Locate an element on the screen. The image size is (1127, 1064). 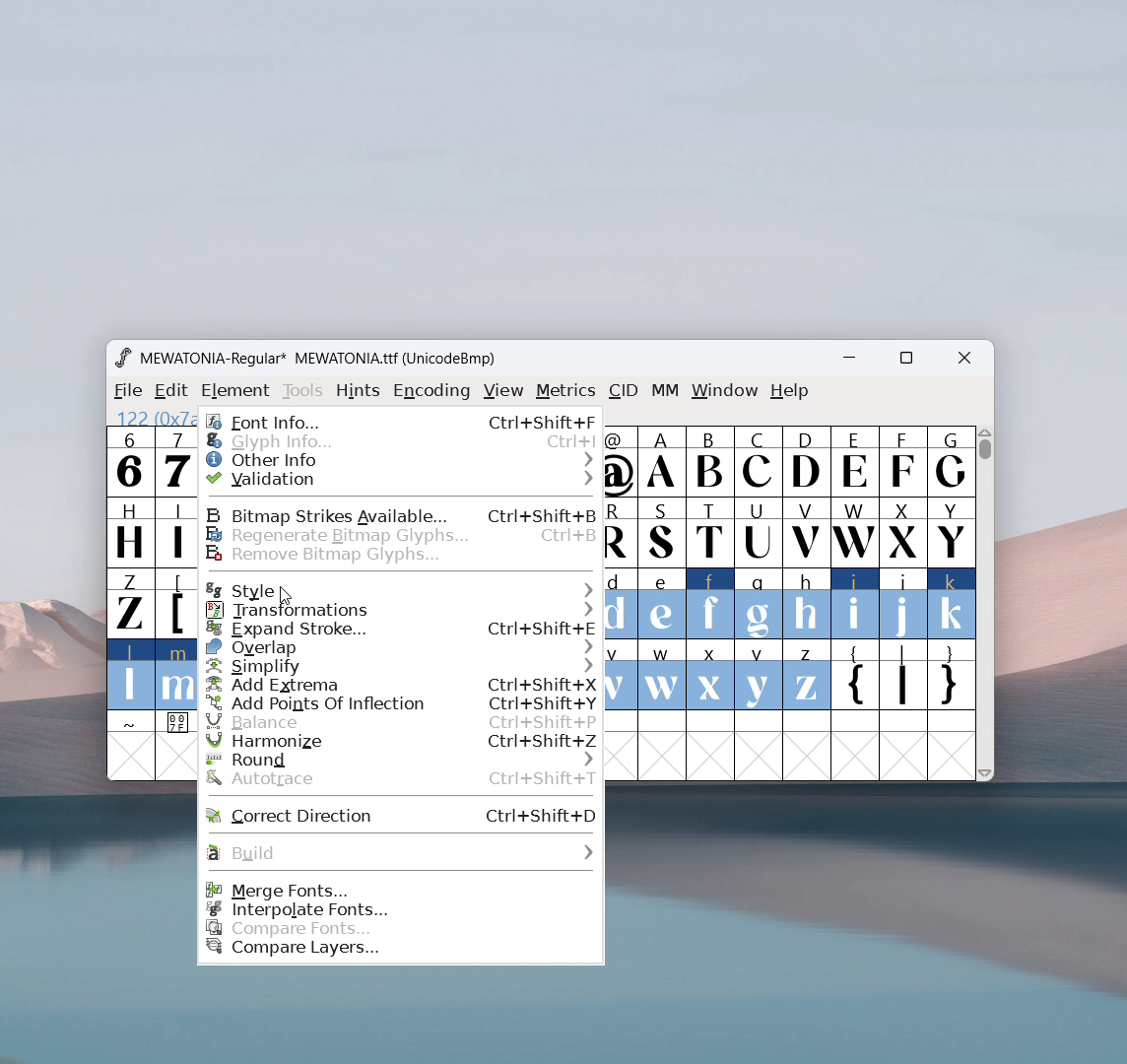
glyph info is located at coordinates (401, 441).